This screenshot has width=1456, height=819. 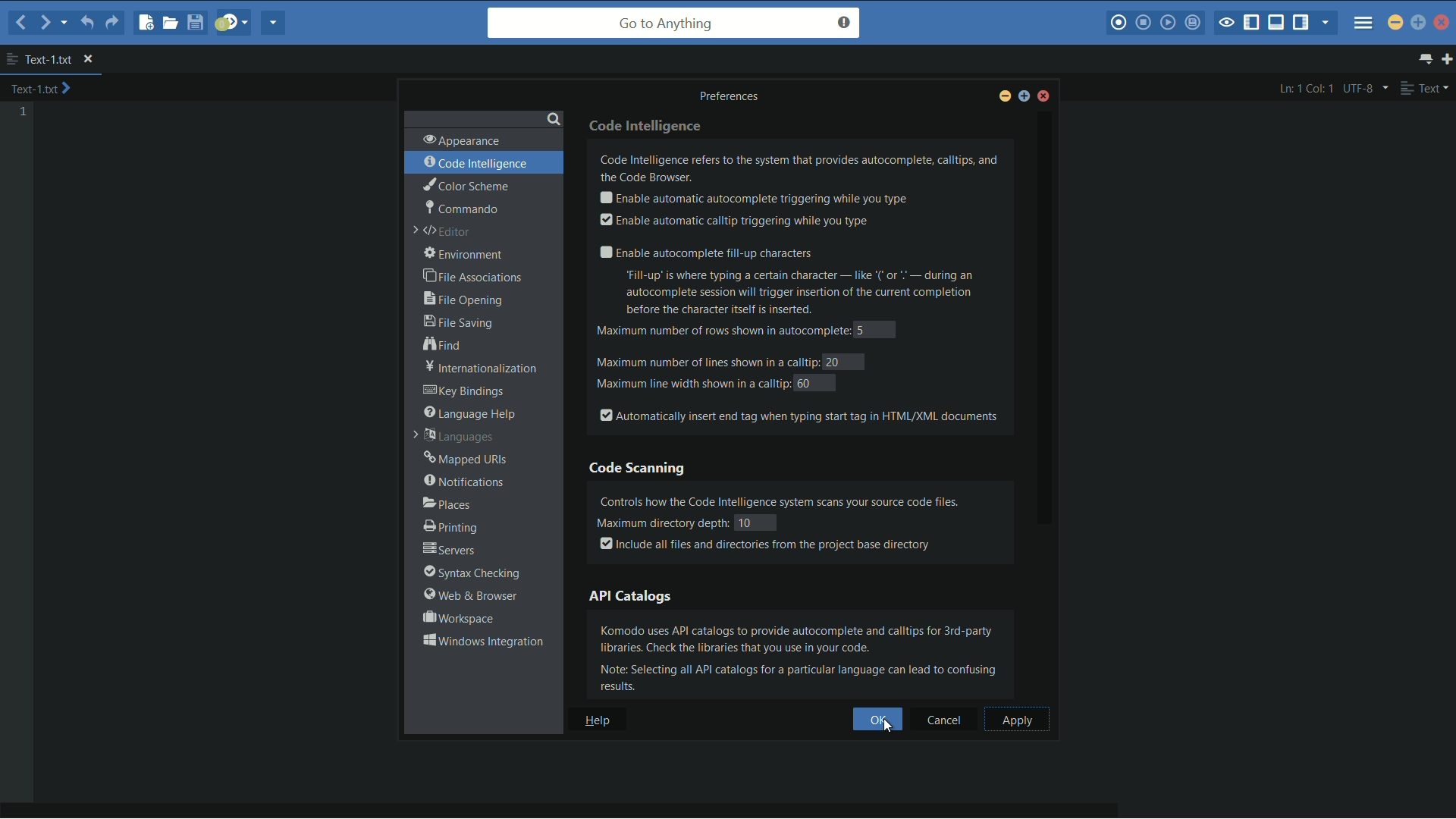 What do you see at coordinates (111, 25) in the screenshot?
I see `redo` at bounding box center [111, 25].